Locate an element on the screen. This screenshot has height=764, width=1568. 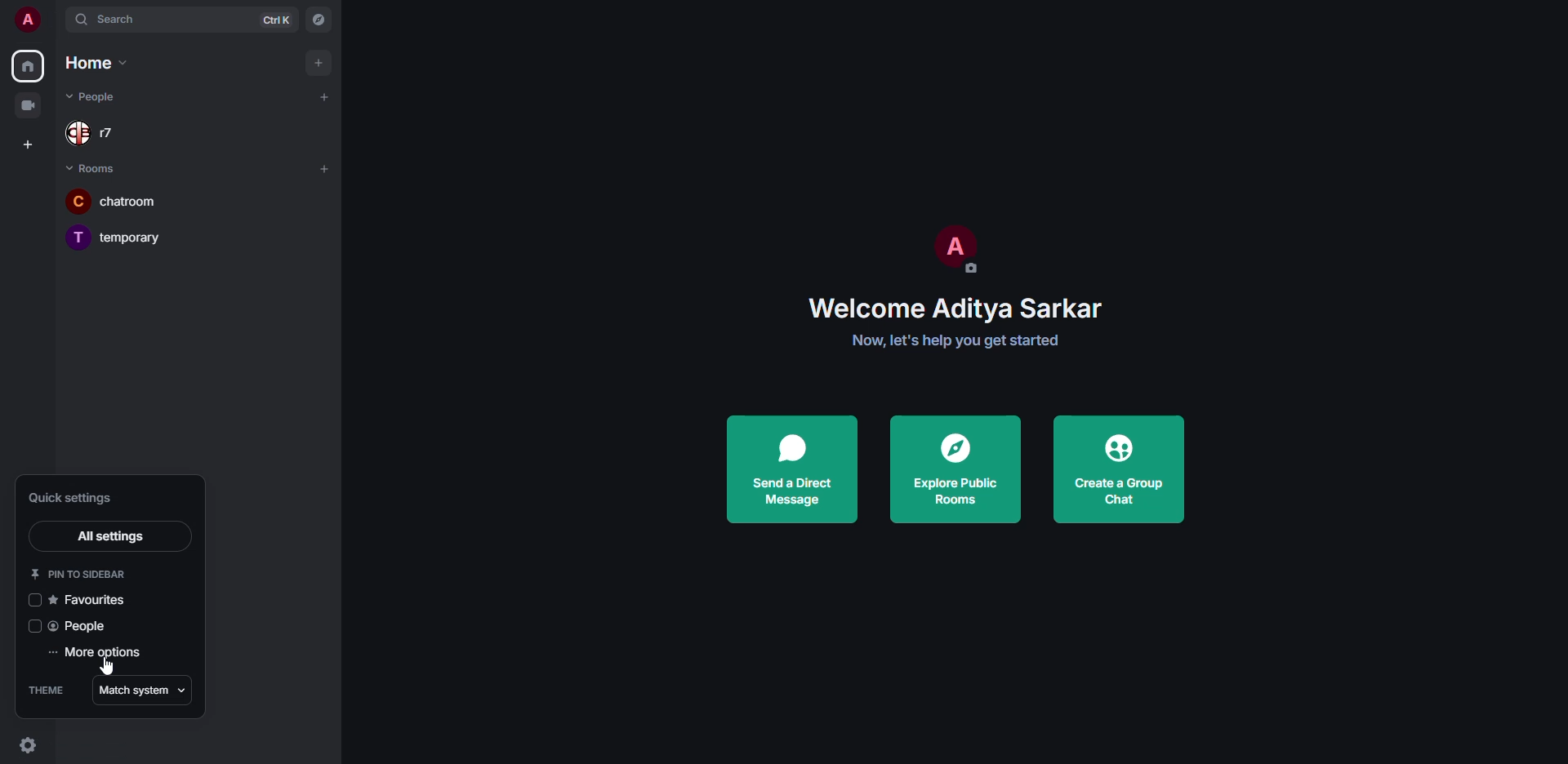
favorites is located at coordinates (90, 600).